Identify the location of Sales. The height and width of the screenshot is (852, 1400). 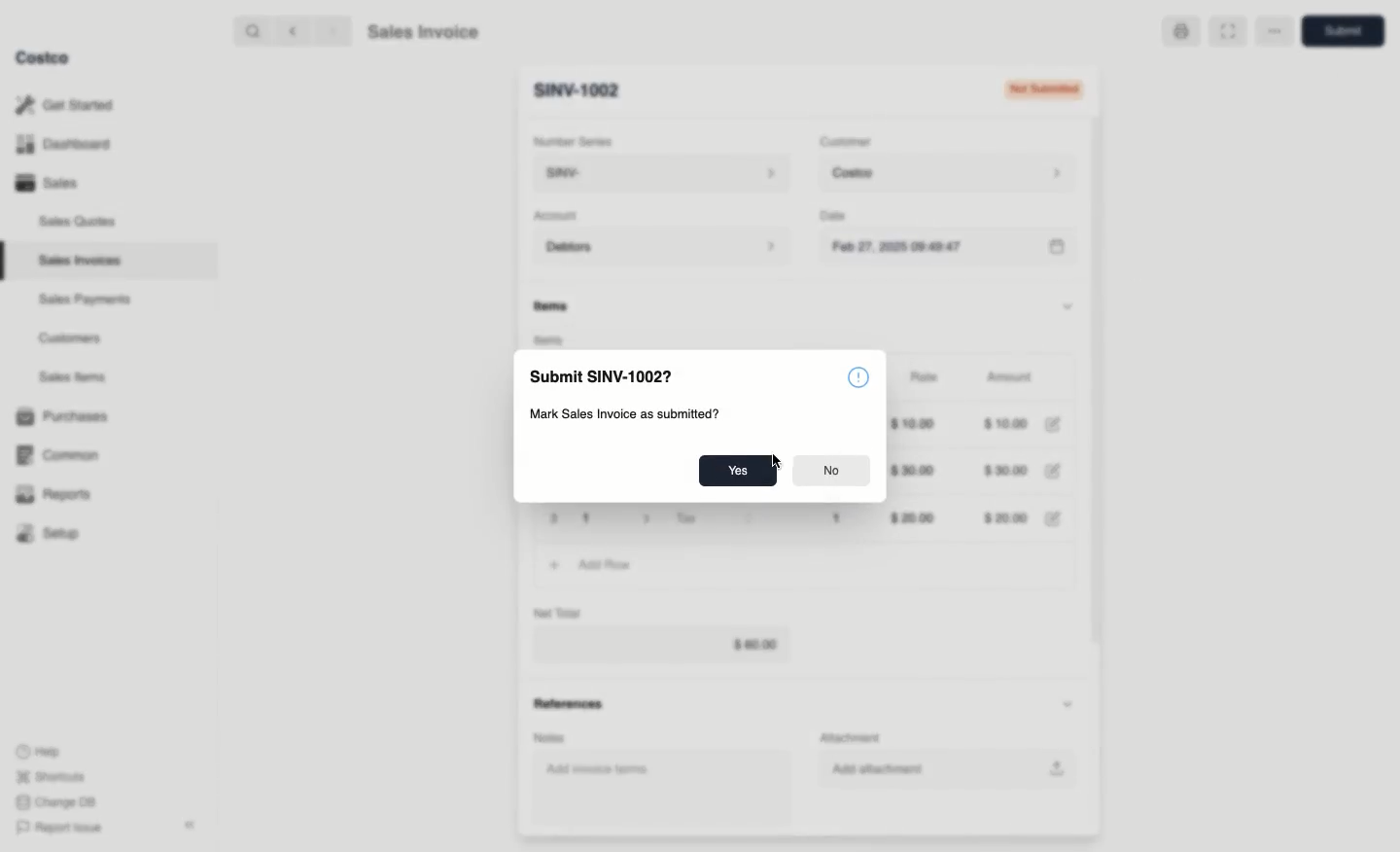
(45, 182).